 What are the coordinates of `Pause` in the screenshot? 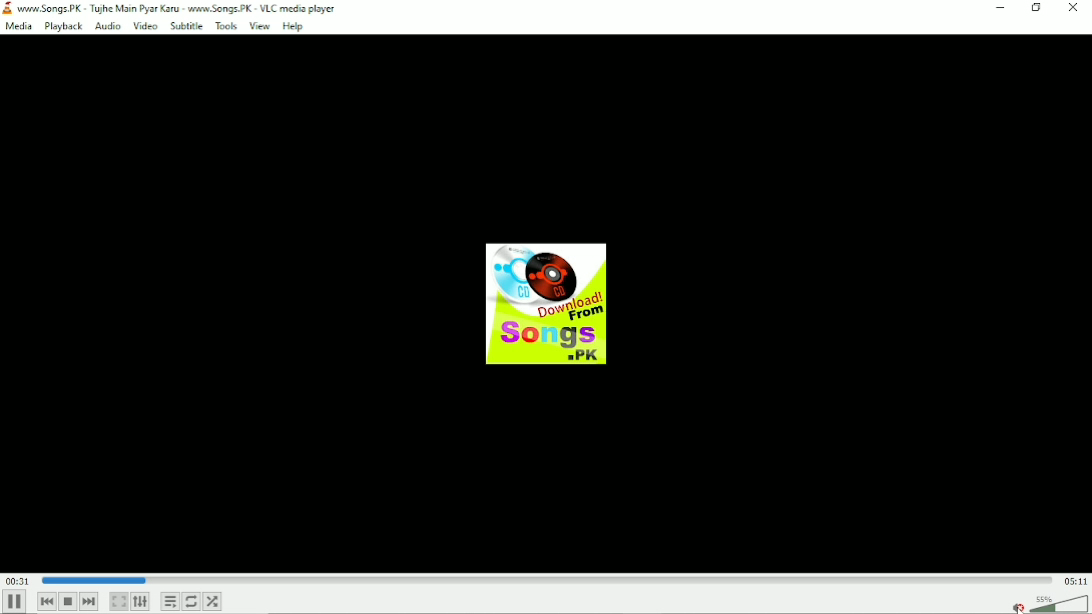 It's located at (14, 602).